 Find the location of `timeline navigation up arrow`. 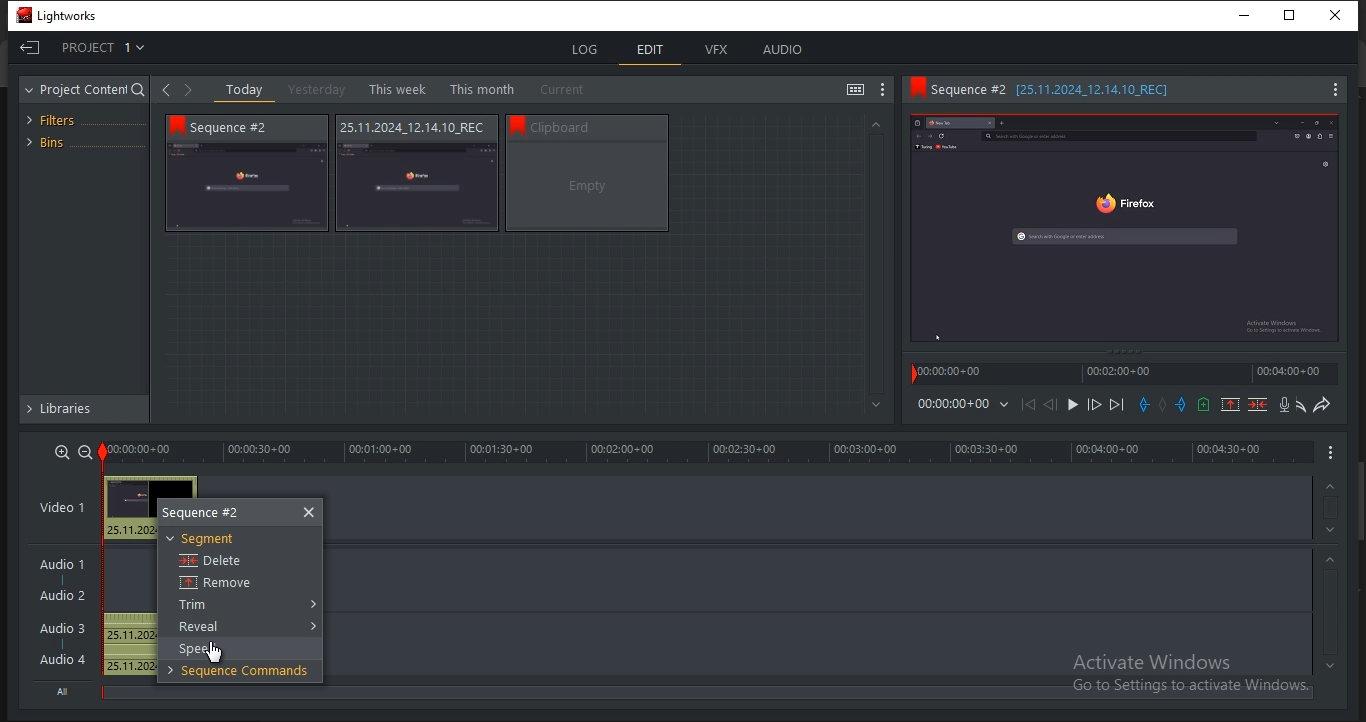

timeline navigation up arrow is located at coordinates (1330, 486).